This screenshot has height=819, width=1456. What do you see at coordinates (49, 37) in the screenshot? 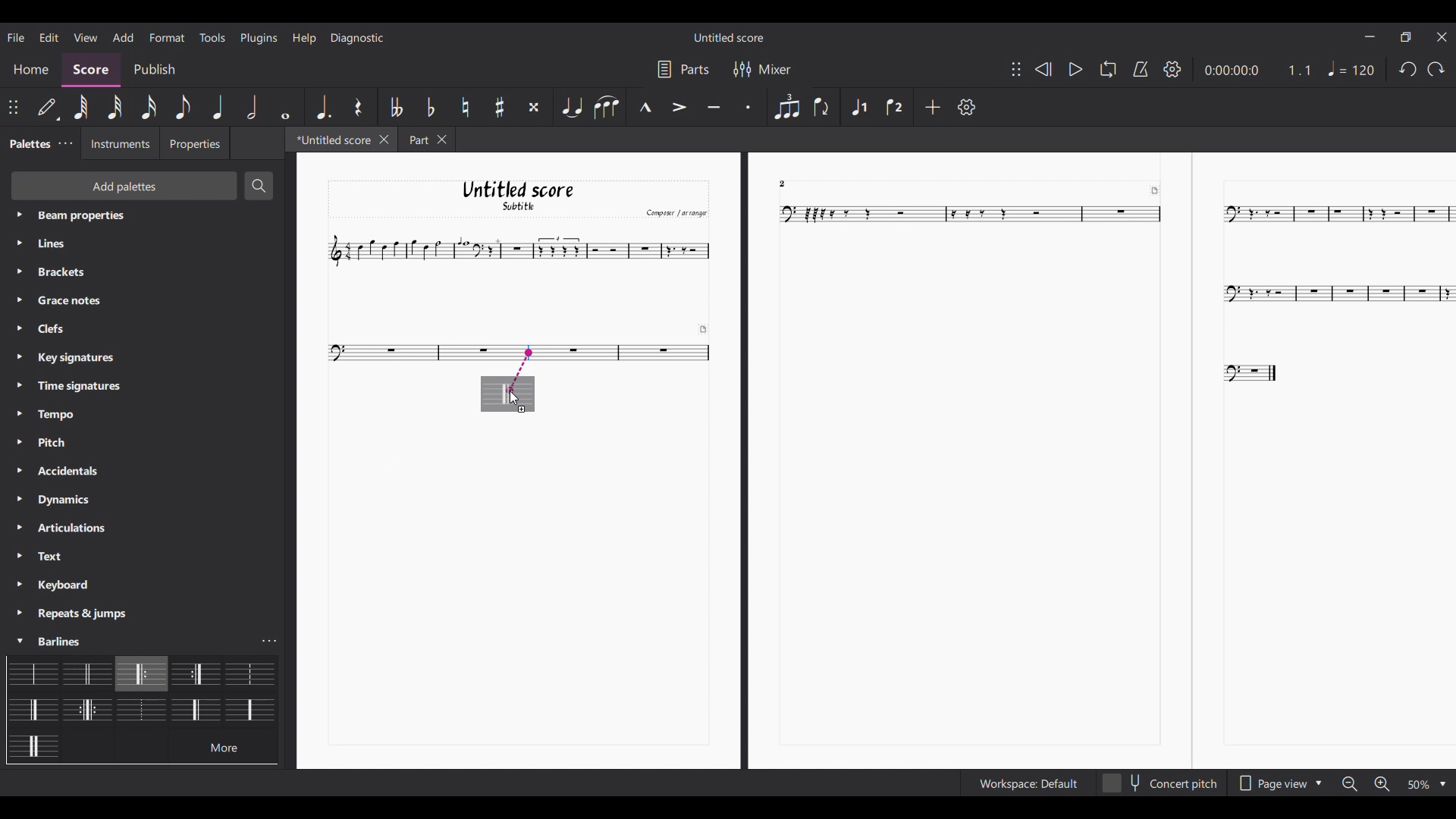
I see `Edit menu` at bounding box center [49, 37].